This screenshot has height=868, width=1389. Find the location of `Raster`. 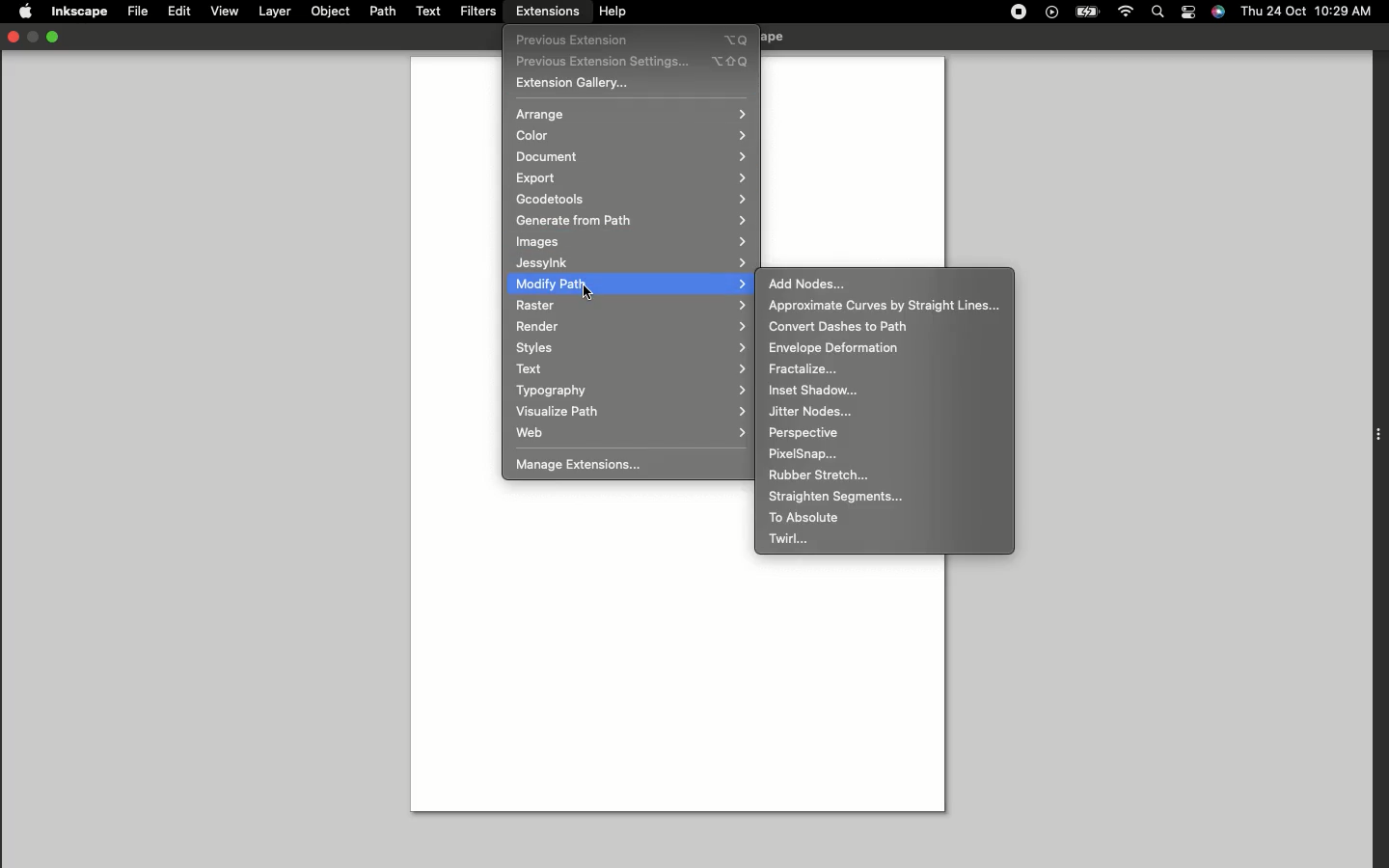

Raster is located at coordinates (630, 307).